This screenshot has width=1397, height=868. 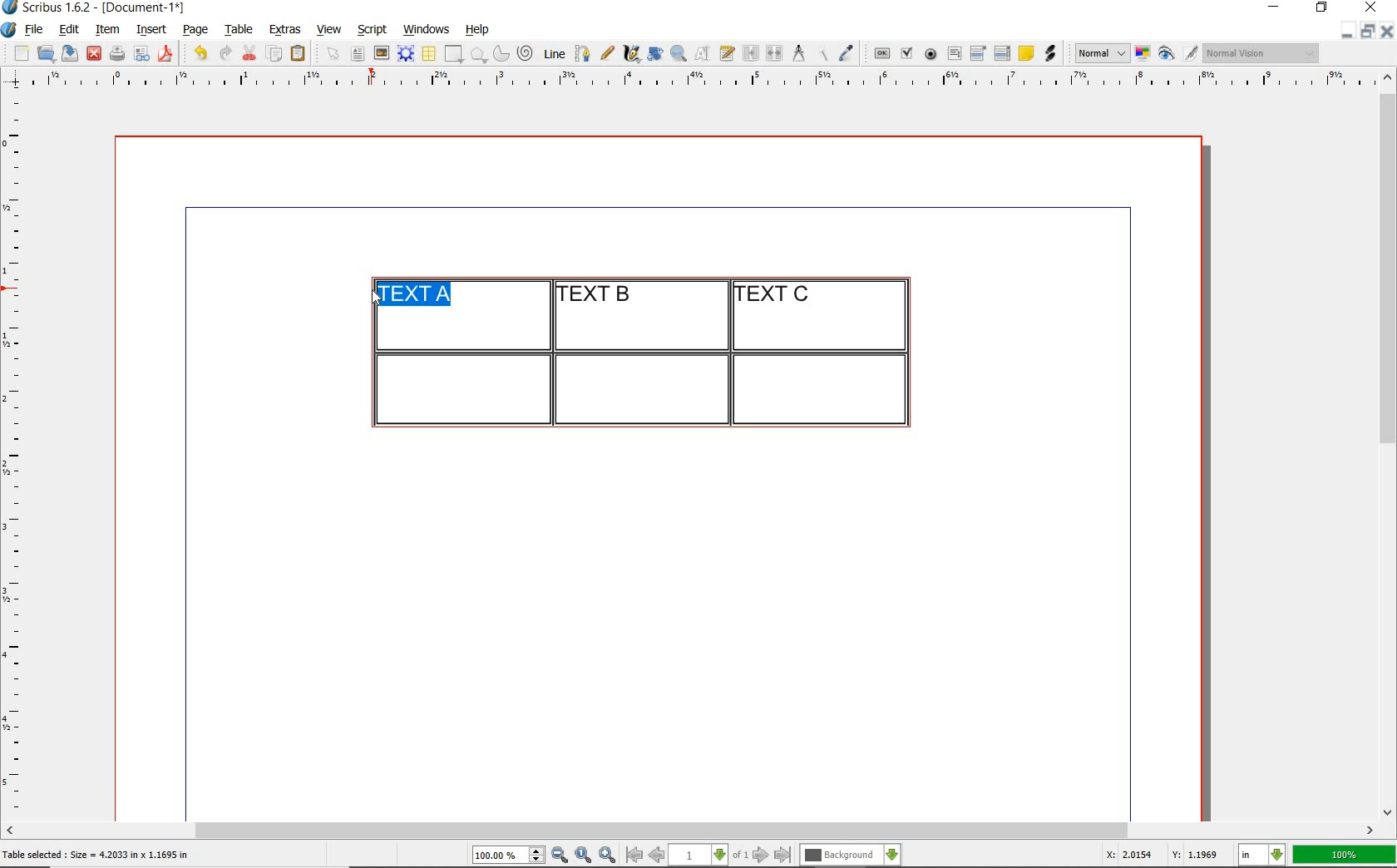 I want to click on insert, so click(x=151, y=30).